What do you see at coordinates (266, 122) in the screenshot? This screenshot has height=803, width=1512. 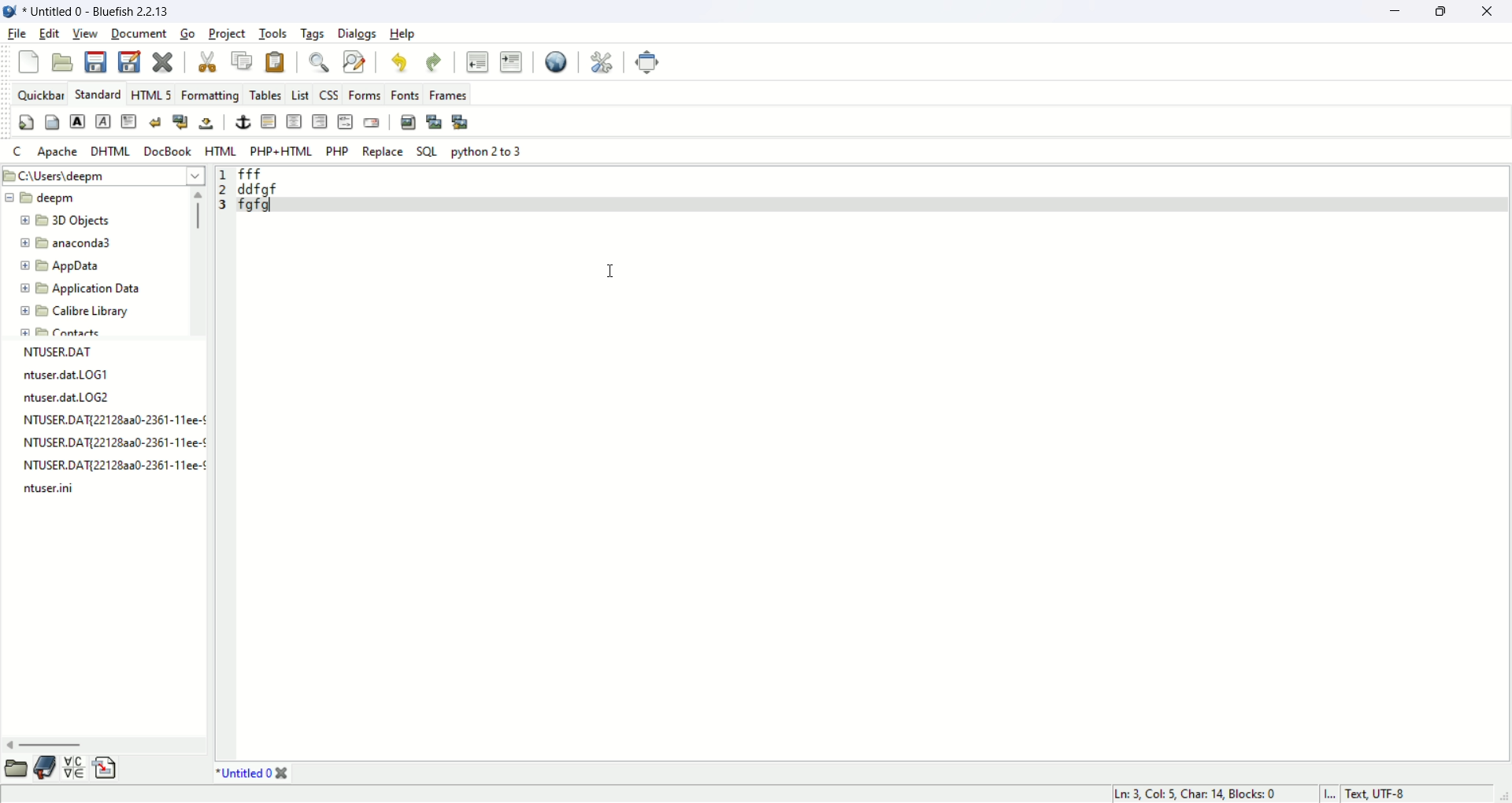 I see `horizontal rule` at bounding box center [266, 122].